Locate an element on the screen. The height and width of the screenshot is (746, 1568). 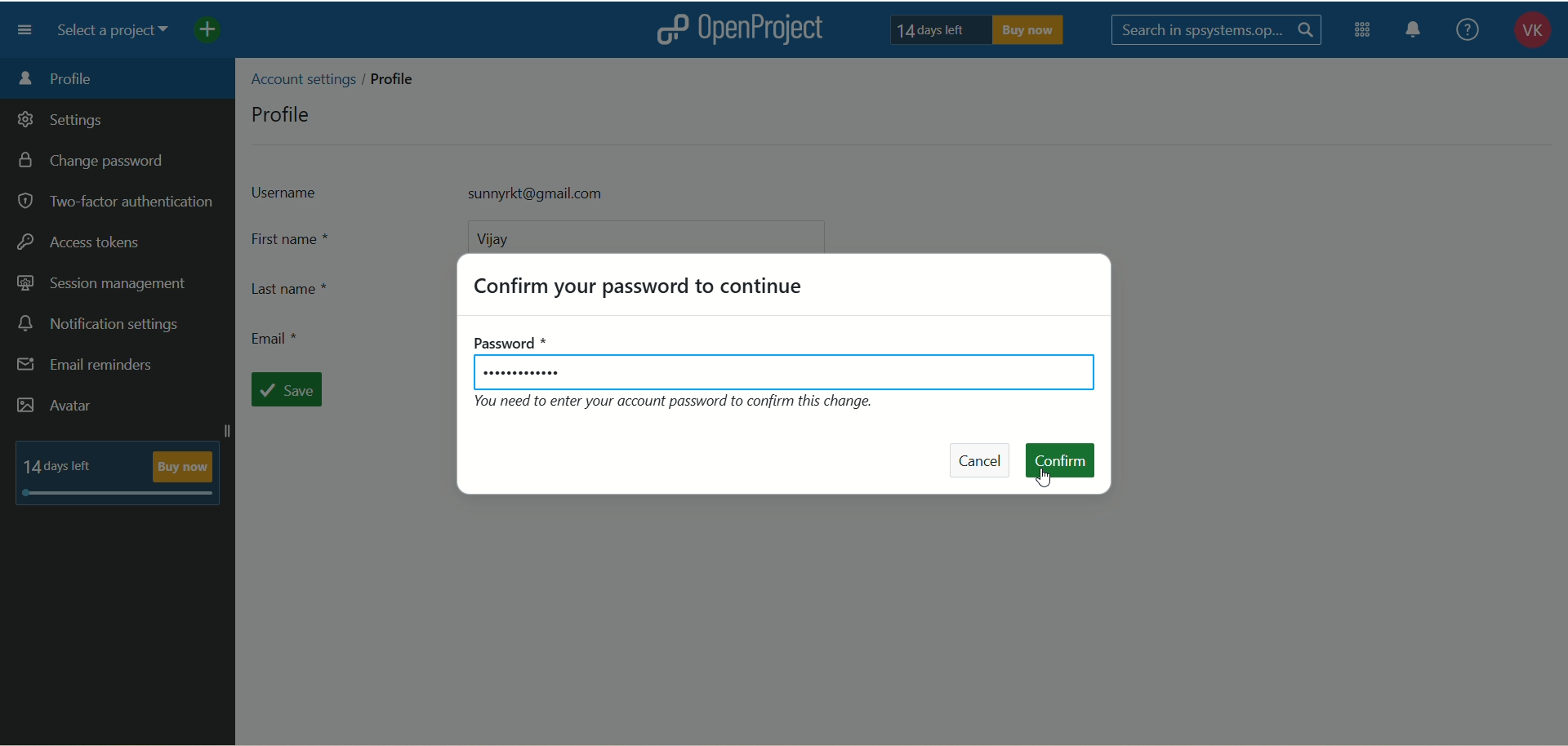
logo is located at coordinates (670, 29).